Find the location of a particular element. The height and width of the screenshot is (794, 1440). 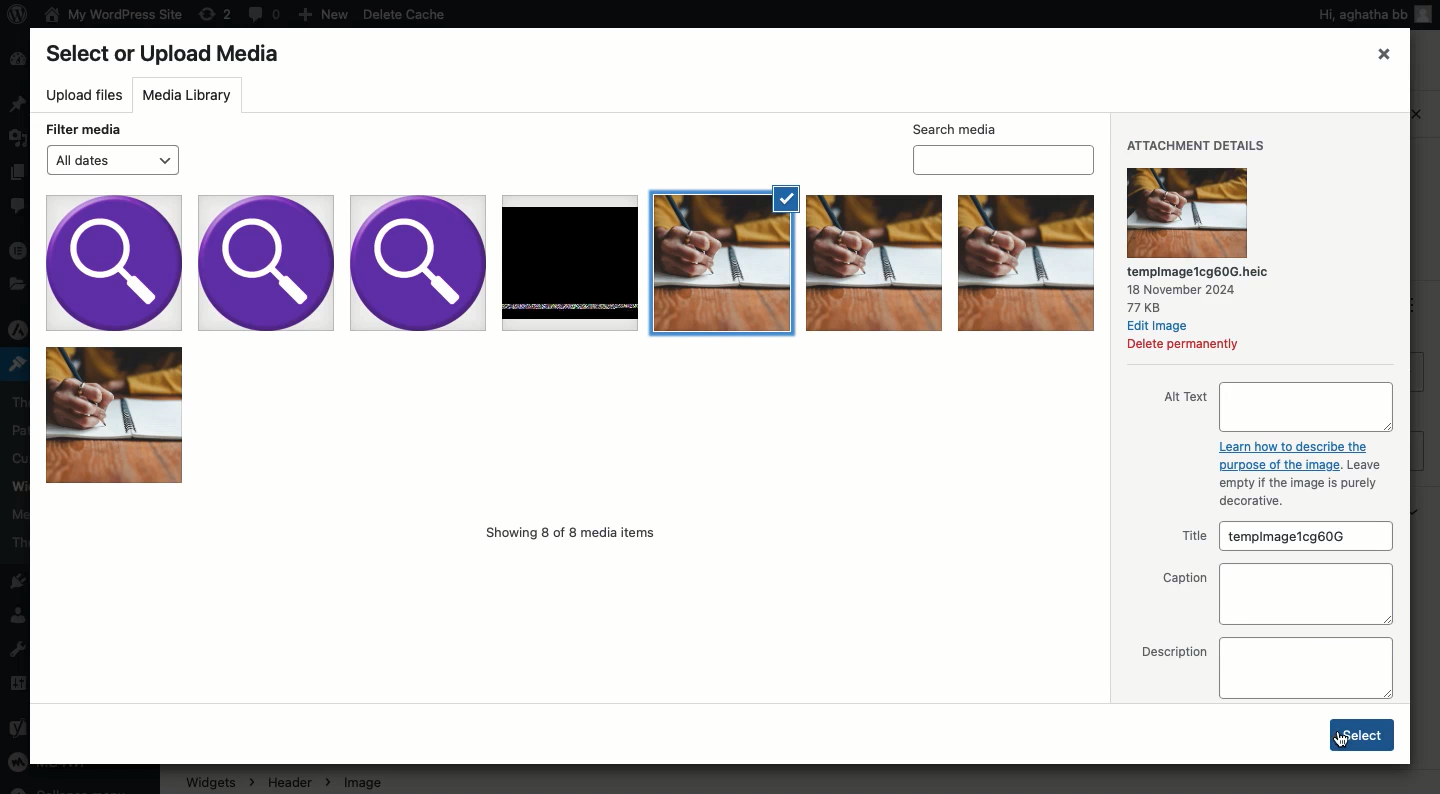

Description is located at coordinates (1265, 668).